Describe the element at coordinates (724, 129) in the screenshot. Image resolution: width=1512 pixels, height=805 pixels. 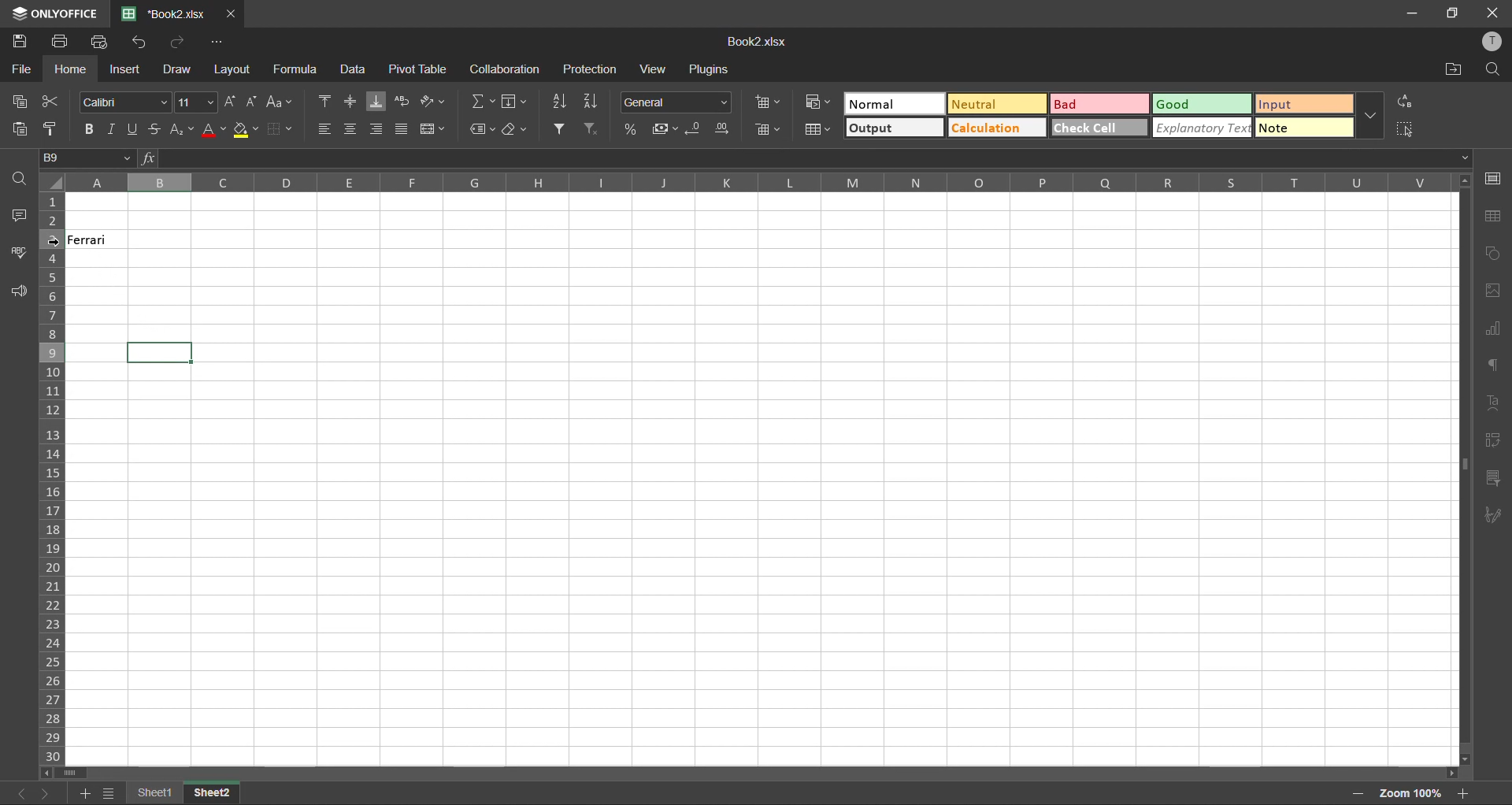
I see `increase decimal` at that location.